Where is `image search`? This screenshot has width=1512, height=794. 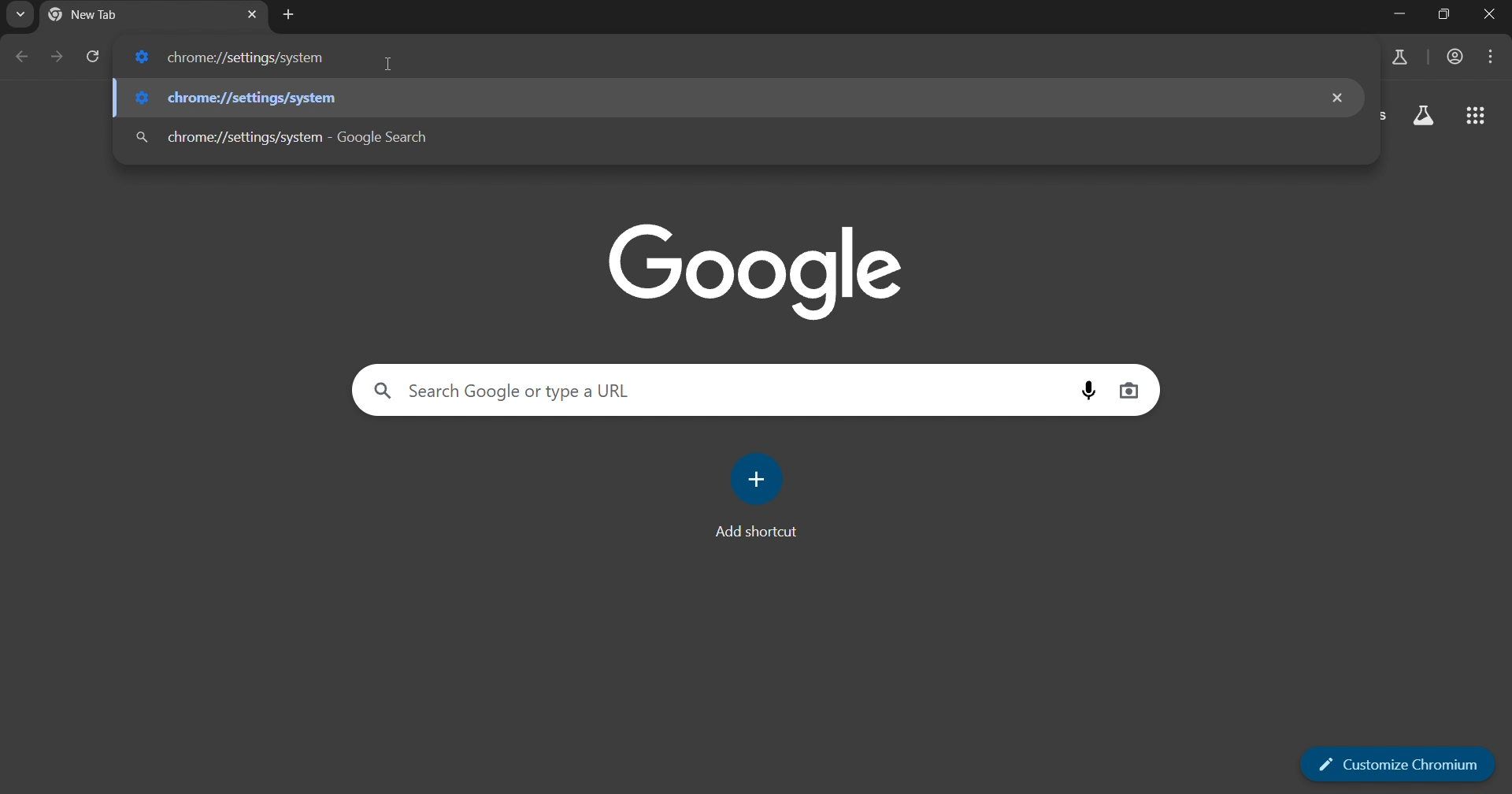
image search is located at coordinates (1131, 390).